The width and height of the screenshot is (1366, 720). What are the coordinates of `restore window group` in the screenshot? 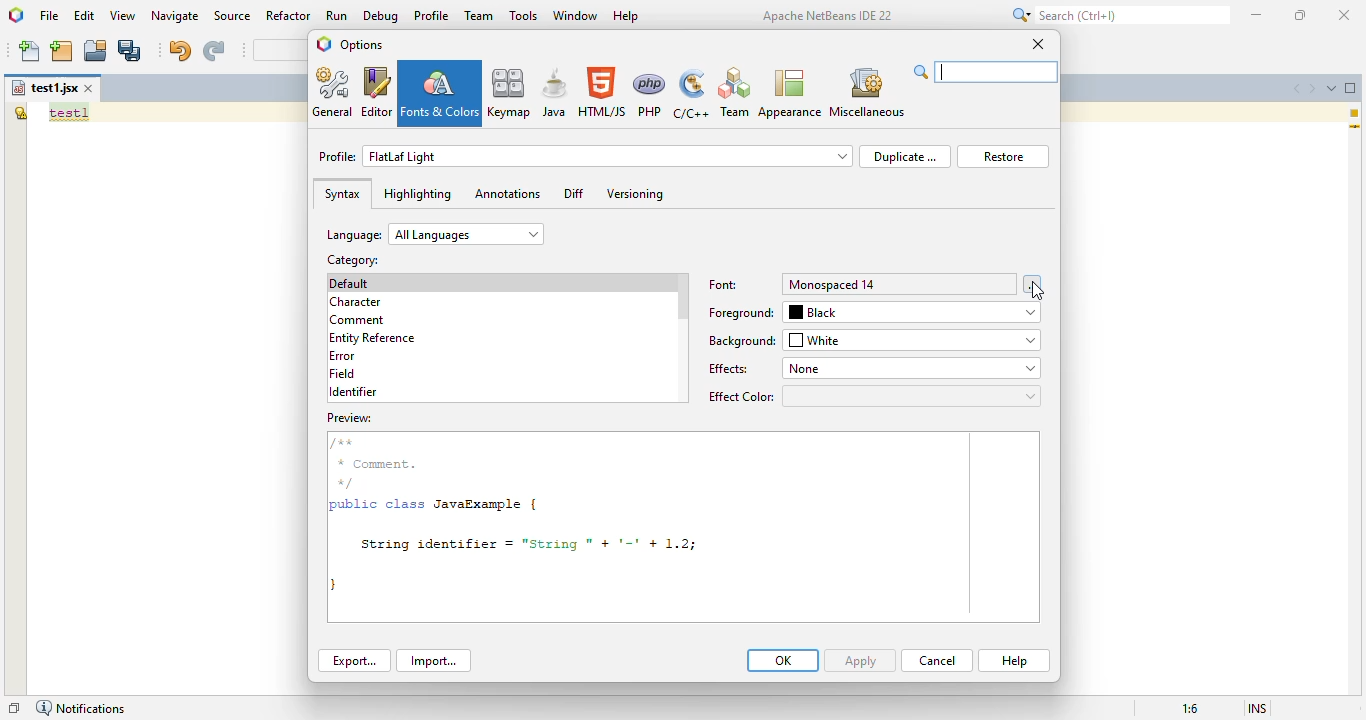 It's located at (14, 708).